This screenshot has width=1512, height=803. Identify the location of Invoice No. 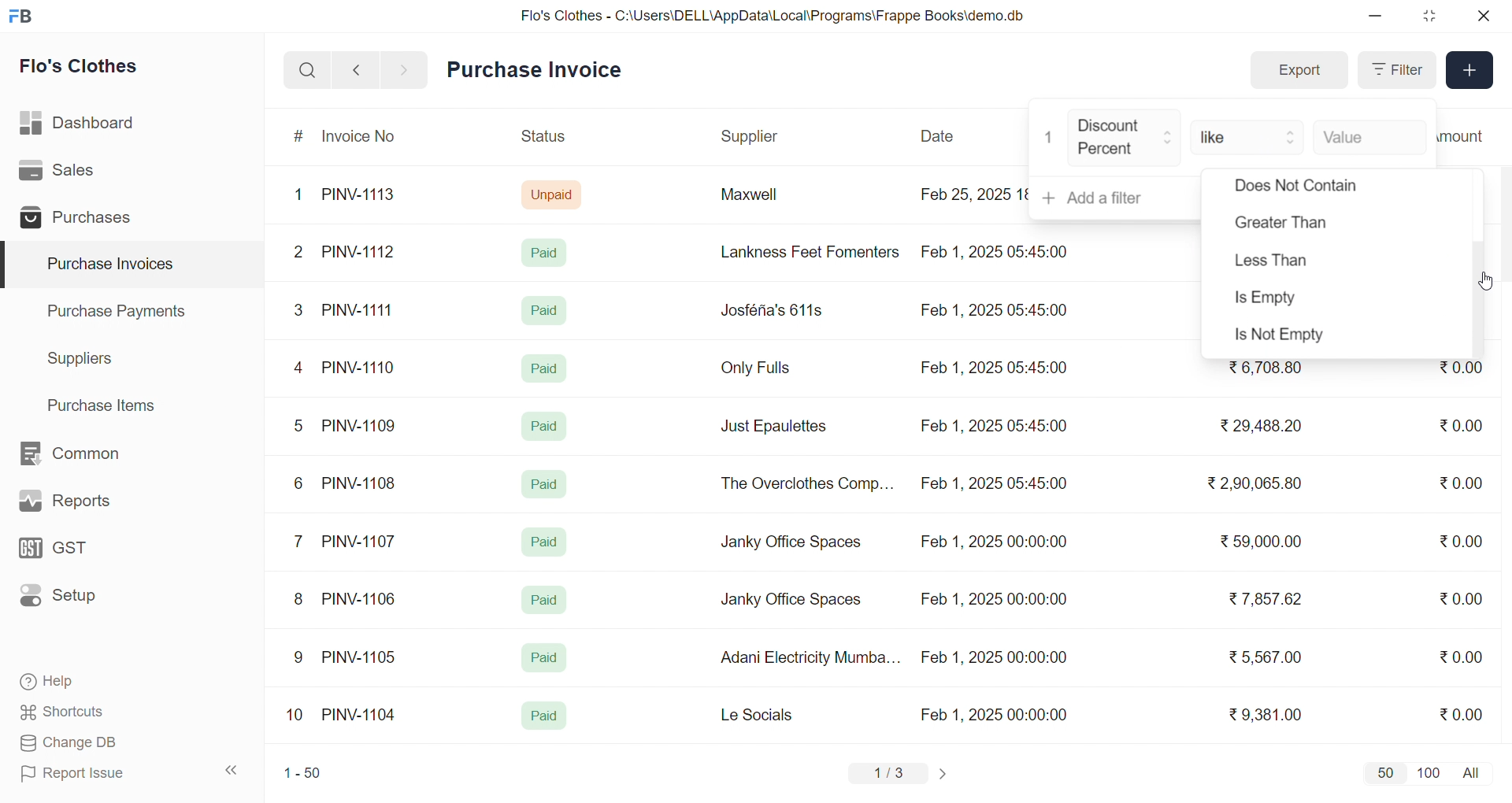
(365, 137).